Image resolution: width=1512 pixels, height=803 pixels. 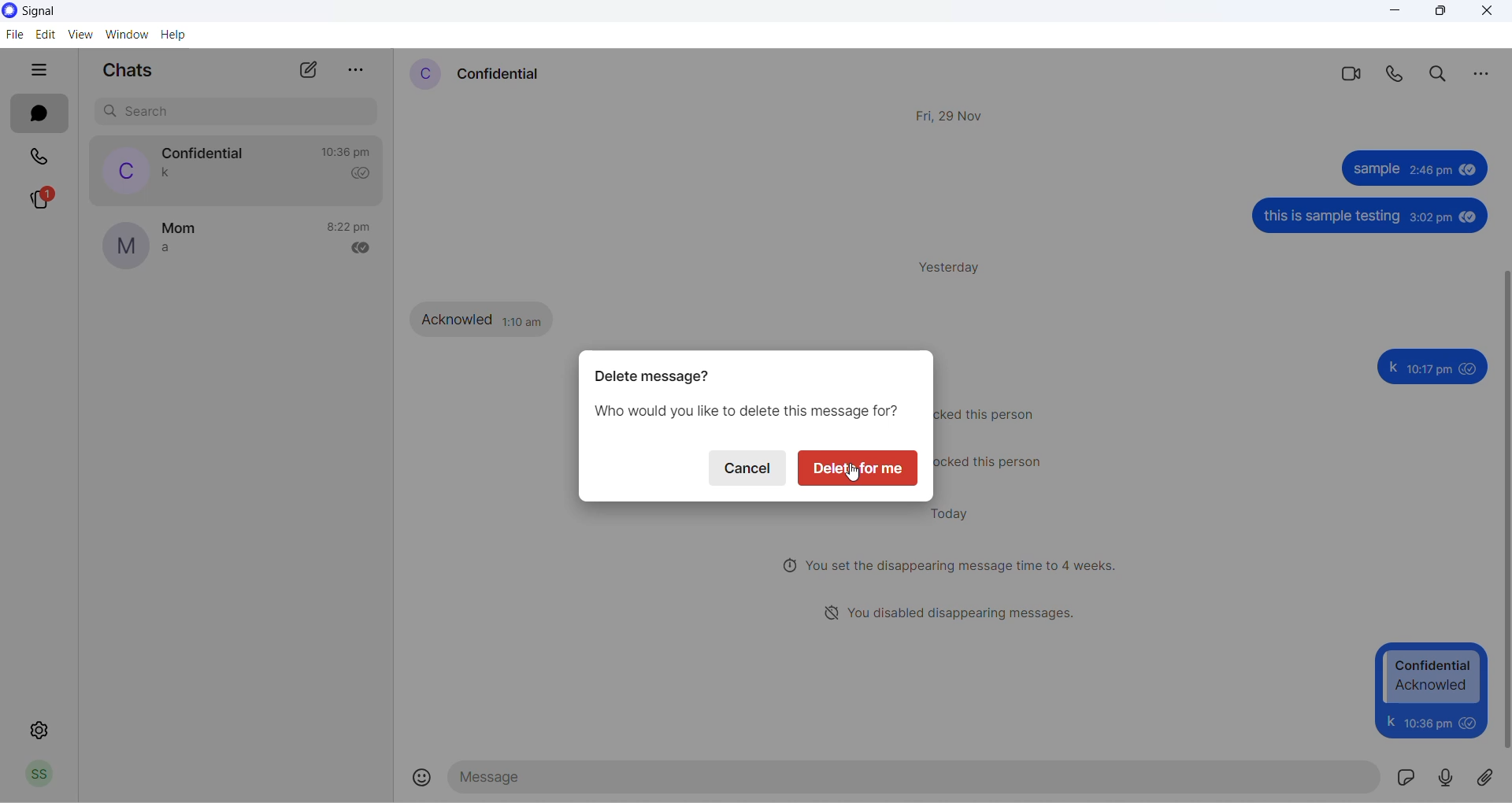 I want to click on 2:46 pm, so click(x=1429, y=170).